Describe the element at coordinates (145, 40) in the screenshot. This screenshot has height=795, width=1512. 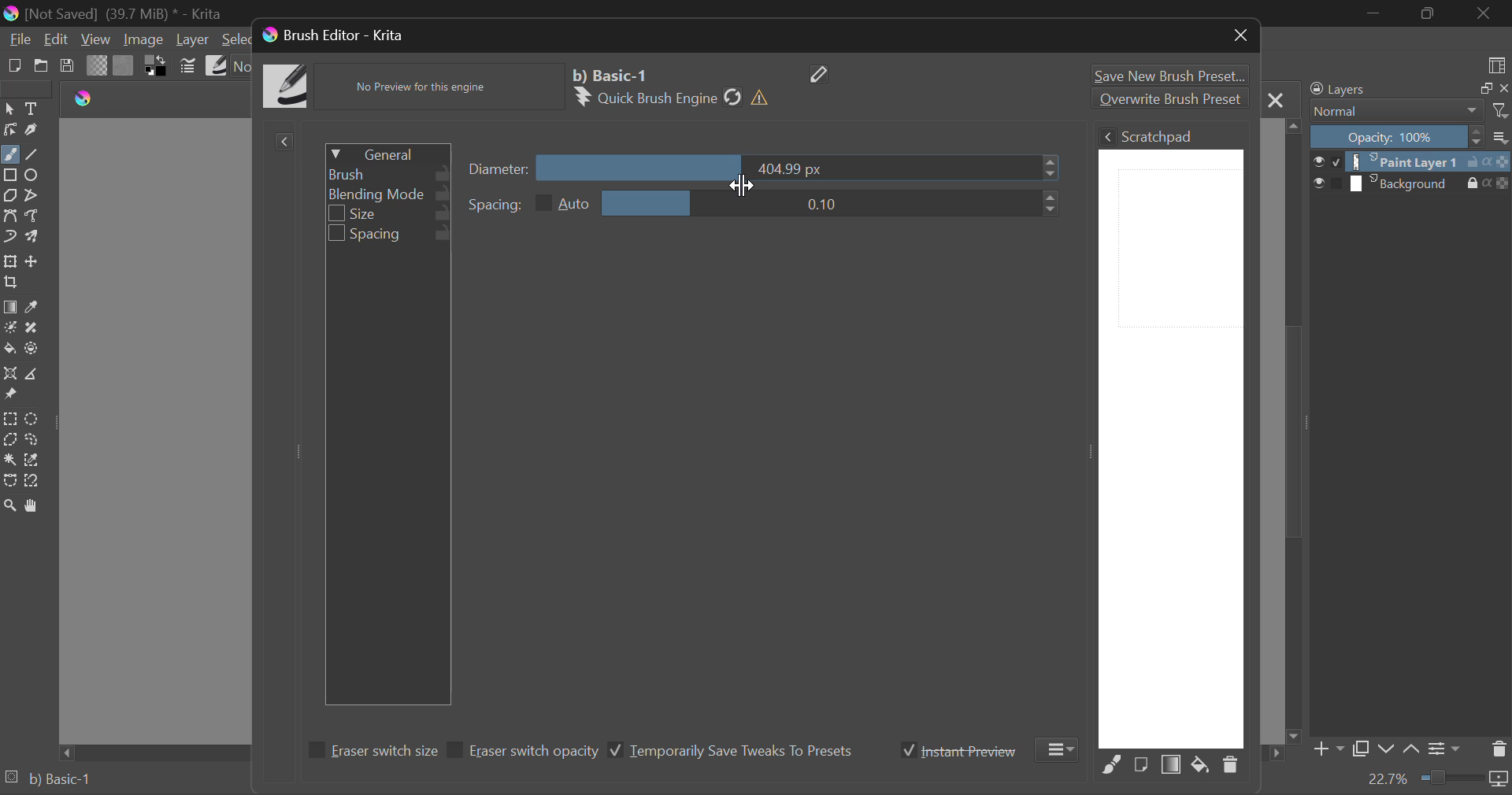
I see `Image` at that location.